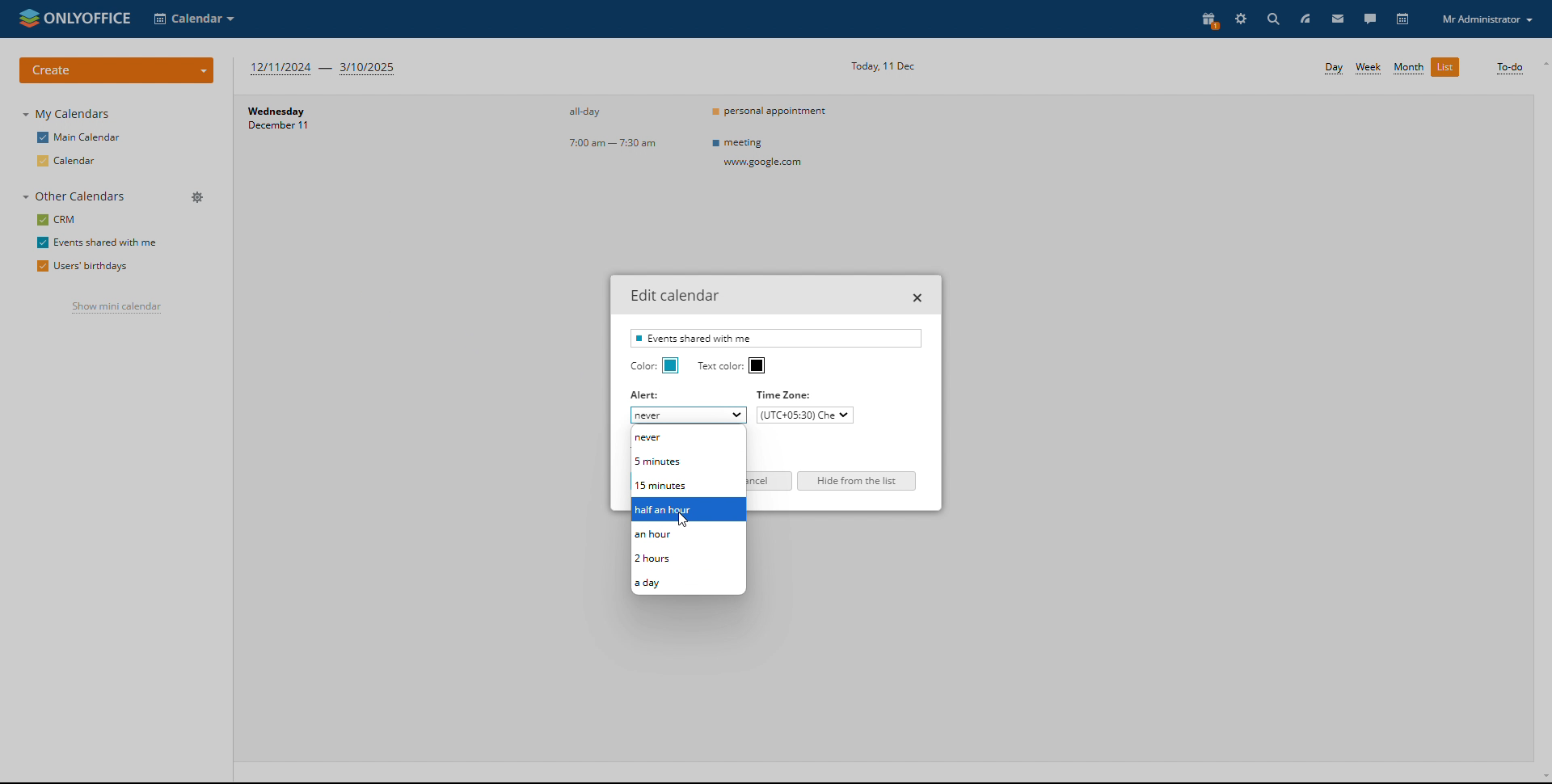 The image size is (1552, 784). Describe the element at coordinates (80, 266) in the screenshot. I see `users' birthdays` at that location.